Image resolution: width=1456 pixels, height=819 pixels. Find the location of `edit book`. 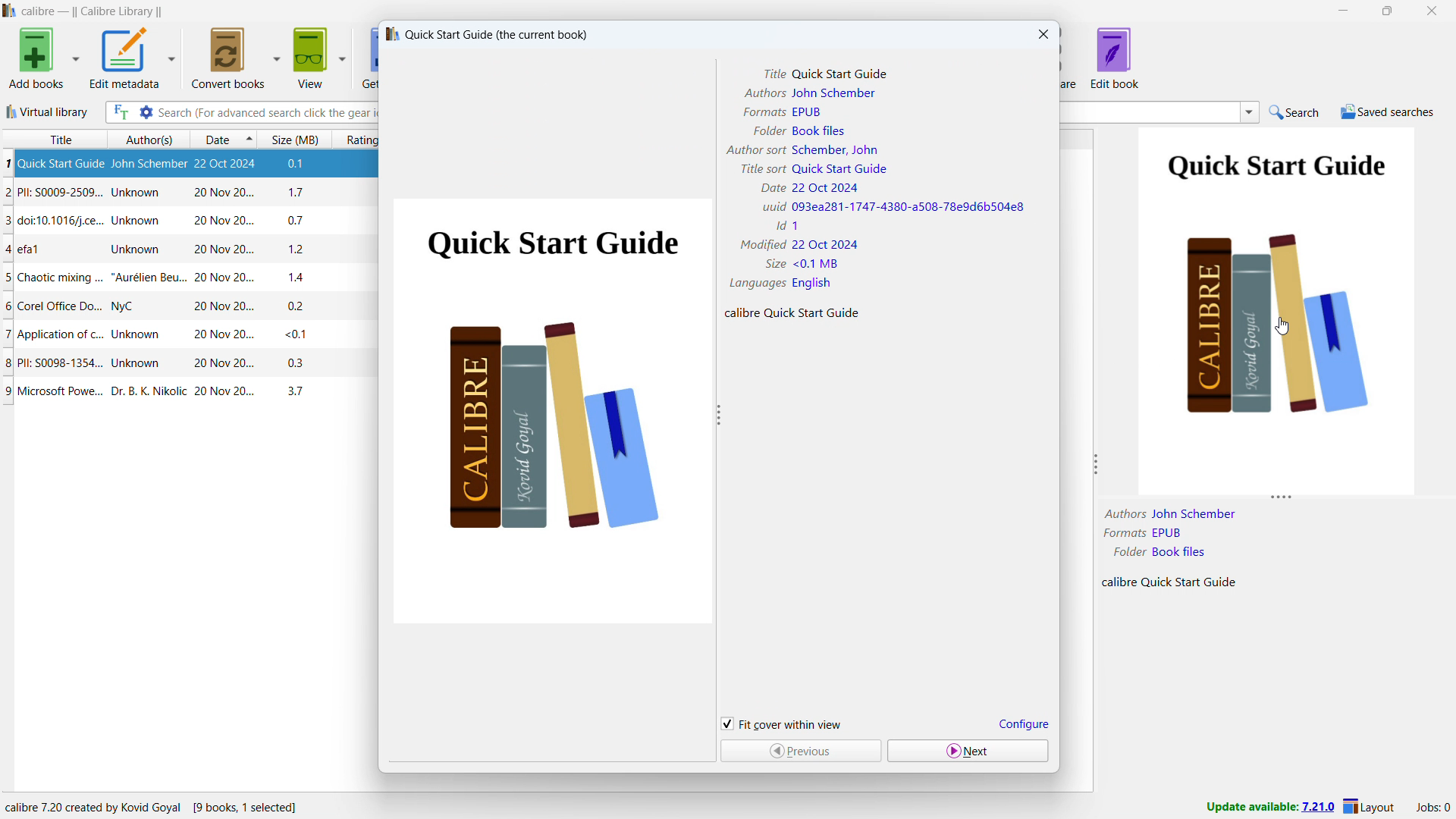

edit book is located at coordinates (1115, 58).